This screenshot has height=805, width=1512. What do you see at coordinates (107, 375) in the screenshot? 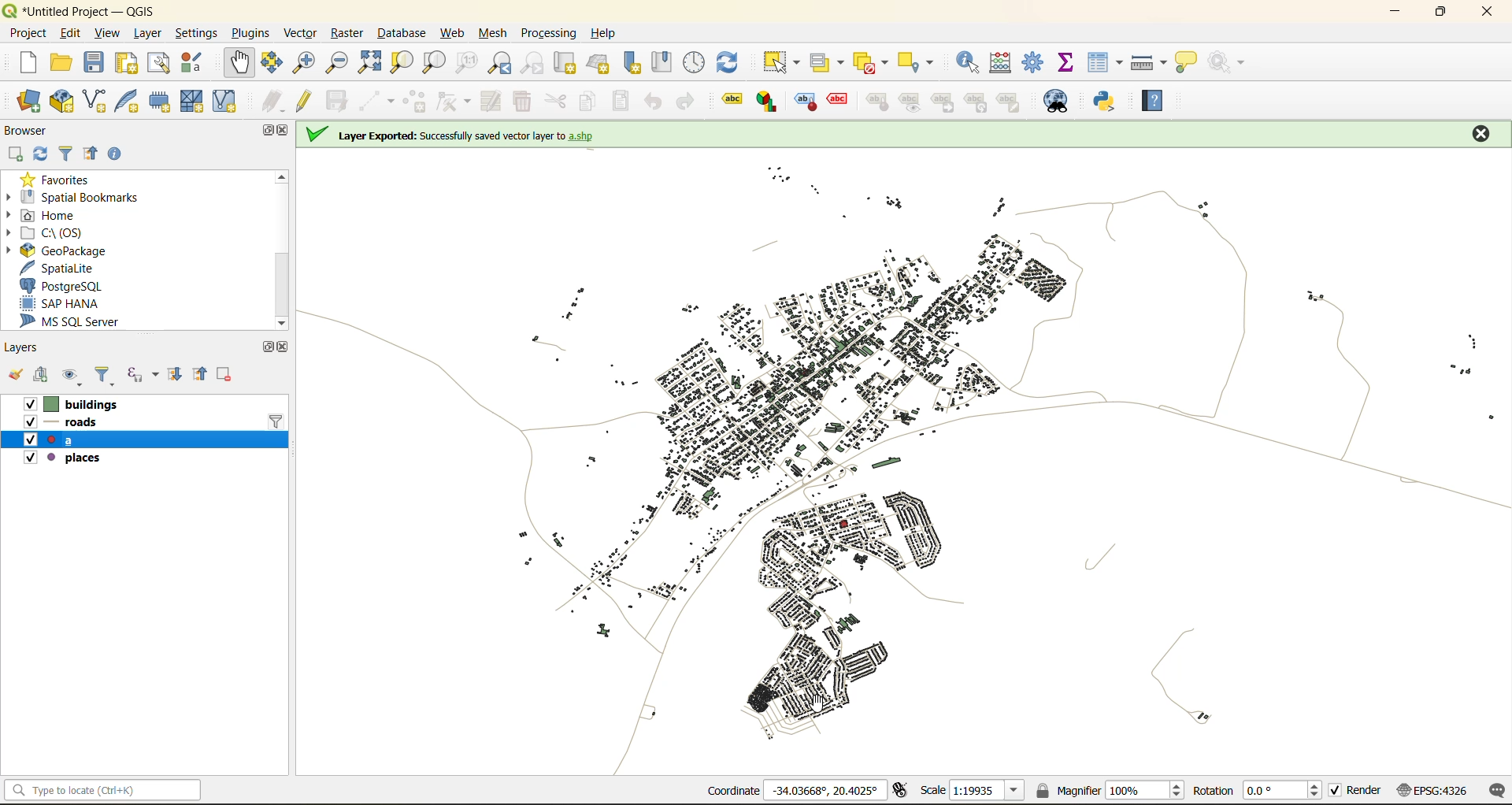
I see `filter` at bounding box center [107, 375].